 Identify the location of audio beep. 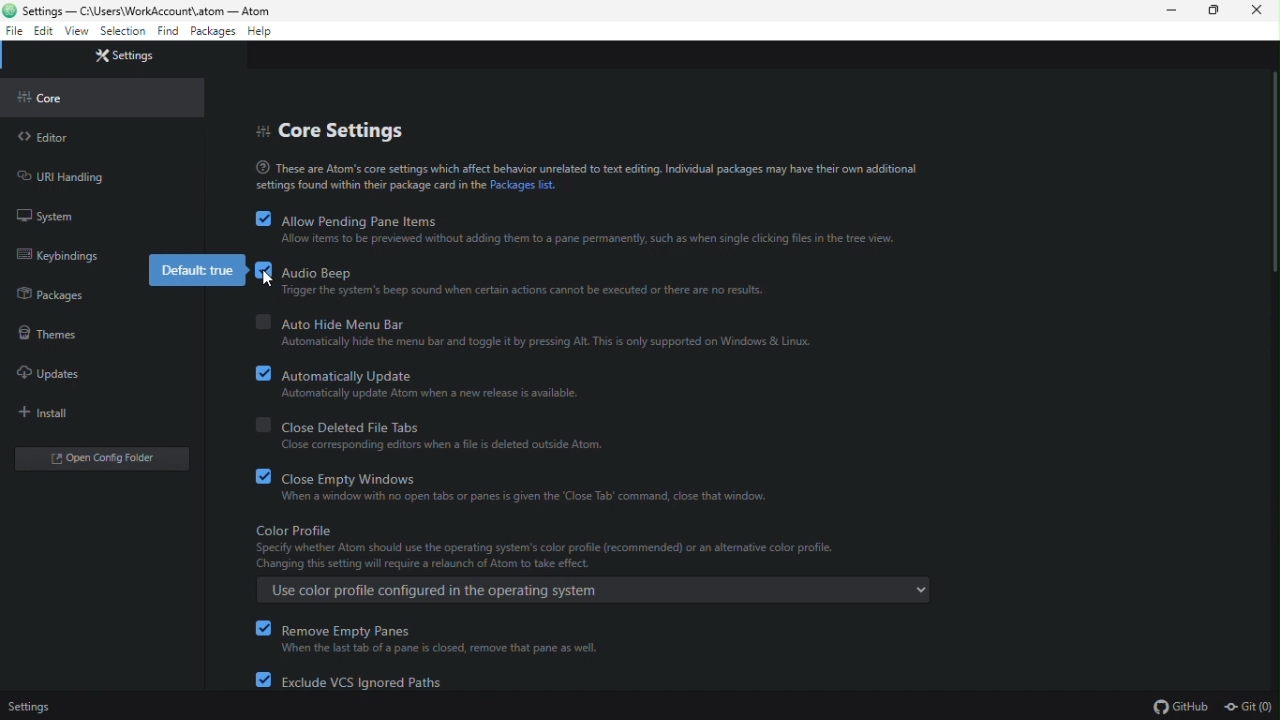
(516, 272).